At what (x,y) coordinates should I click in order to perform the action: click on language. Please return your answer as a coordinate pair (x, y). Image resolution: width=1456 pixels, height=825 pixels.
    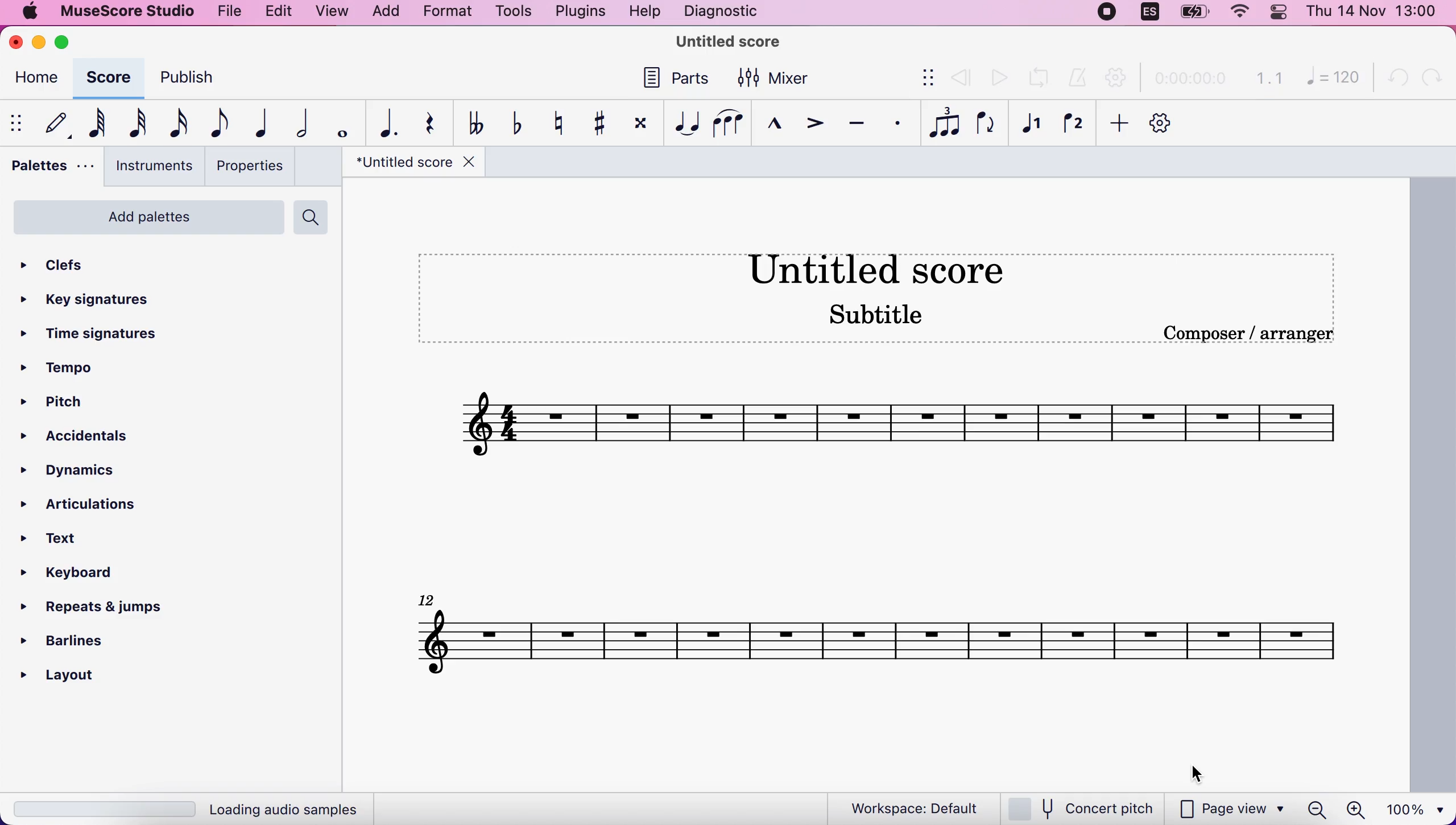
    Looking at the image, I should click on (1147, 15).